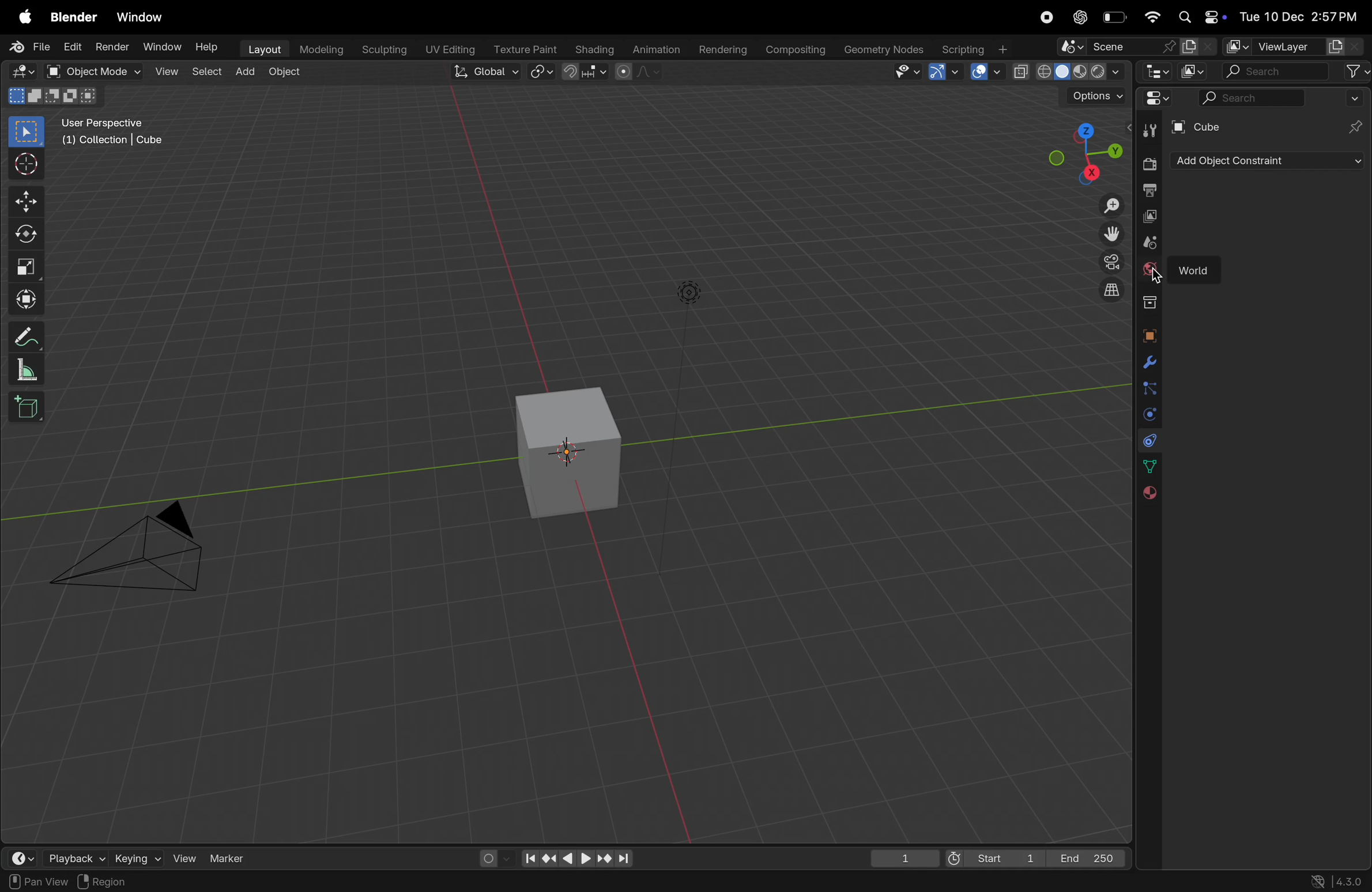 This screenshot has width=1372, height=892. What do you see at coordinates (158, 48) in the screenshot?
I see `Window` at bounding box center [158, 48].